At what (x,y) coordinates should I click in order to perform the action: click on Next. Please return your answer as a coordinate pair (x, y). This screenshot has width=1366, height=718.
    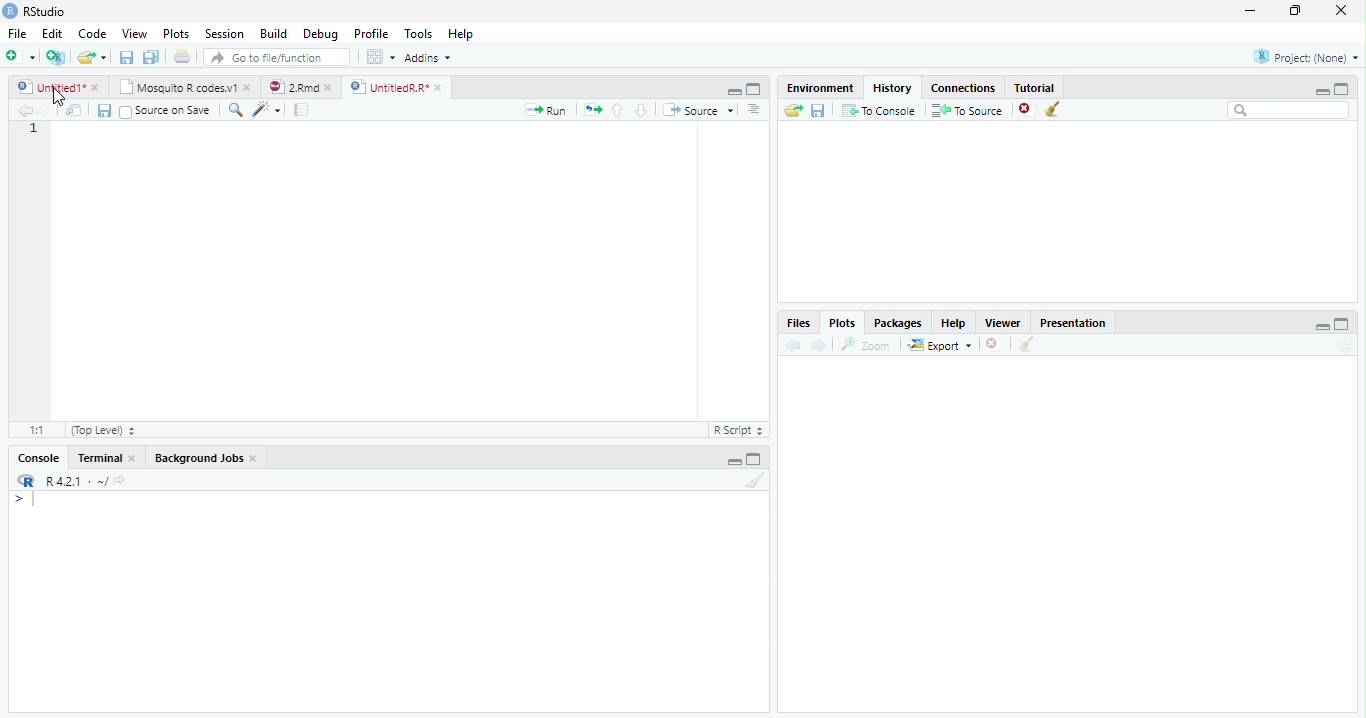
    Looking at the image, I should click on (819, 346).